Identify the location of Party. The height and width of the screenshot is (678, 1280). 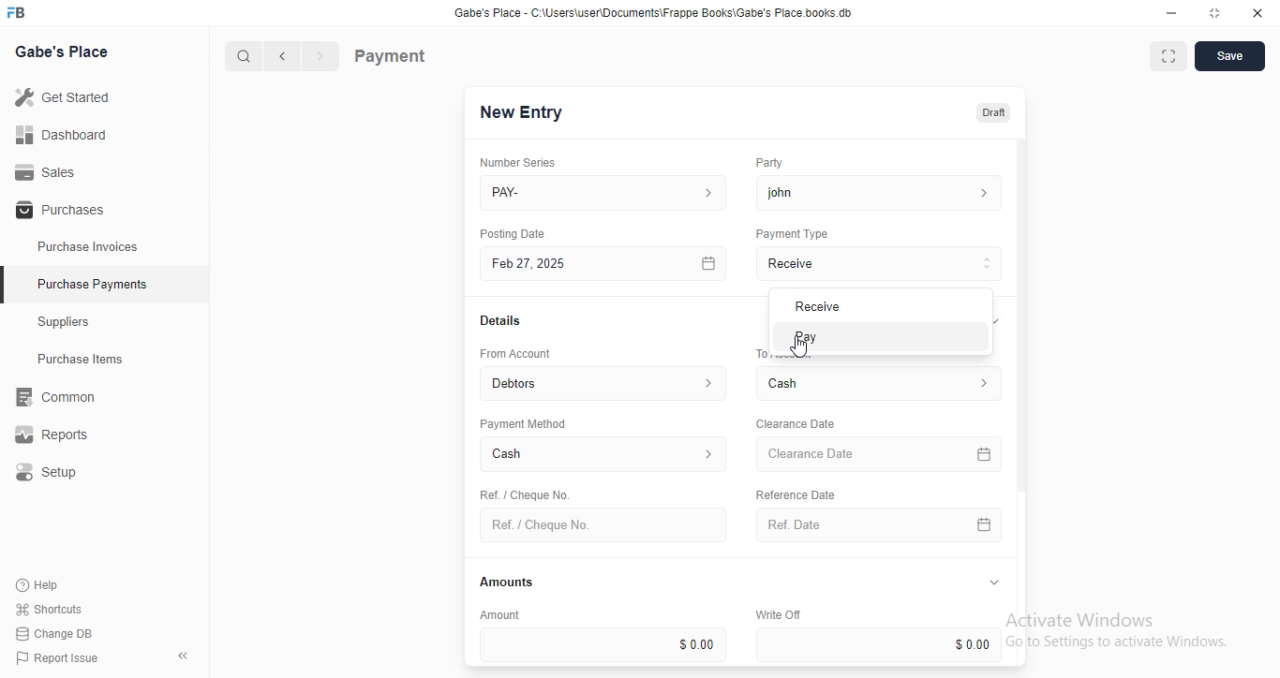
(767, 163).